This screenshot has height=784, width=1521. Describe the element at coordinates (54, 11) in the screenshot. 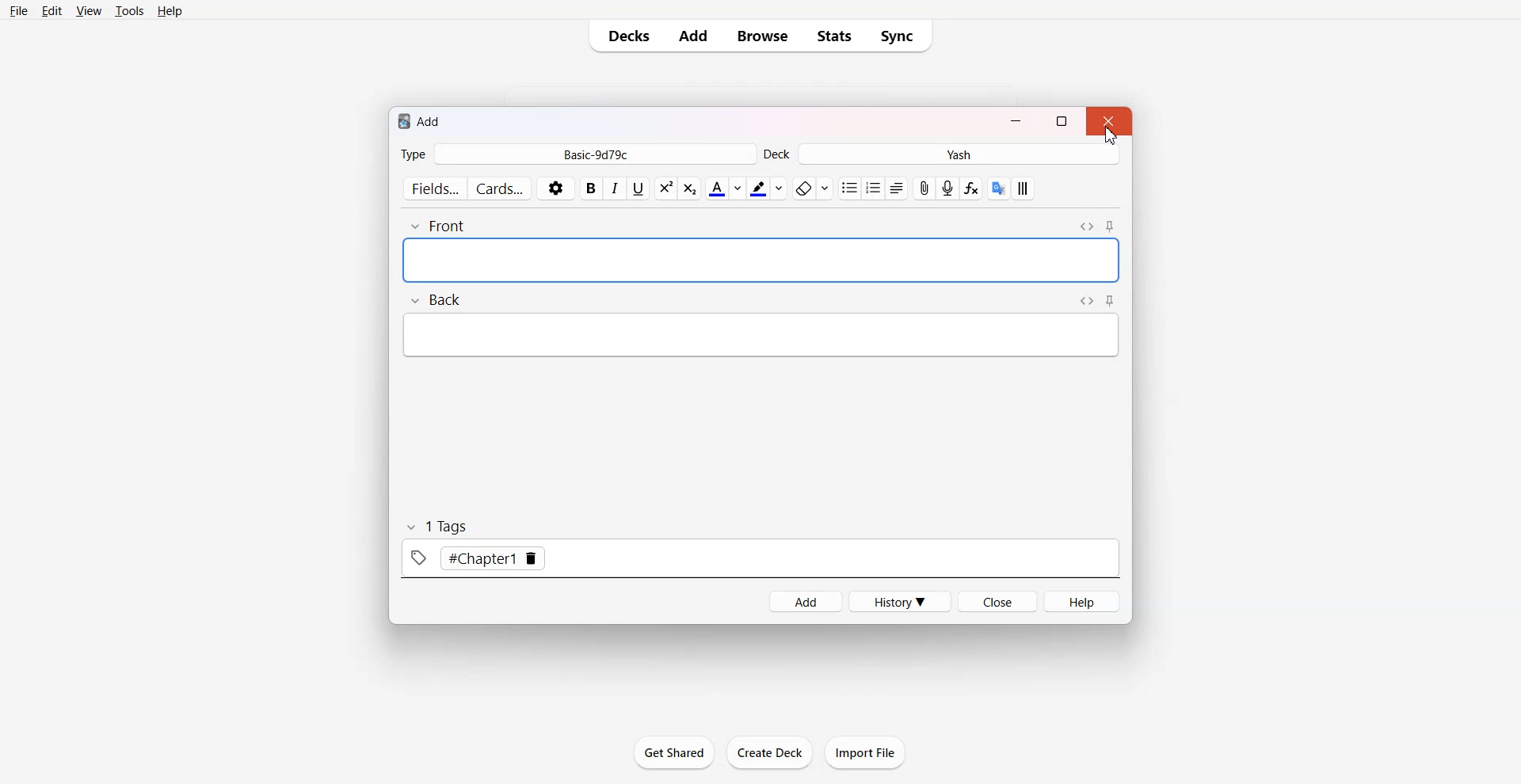

I see `Edit` at that location.